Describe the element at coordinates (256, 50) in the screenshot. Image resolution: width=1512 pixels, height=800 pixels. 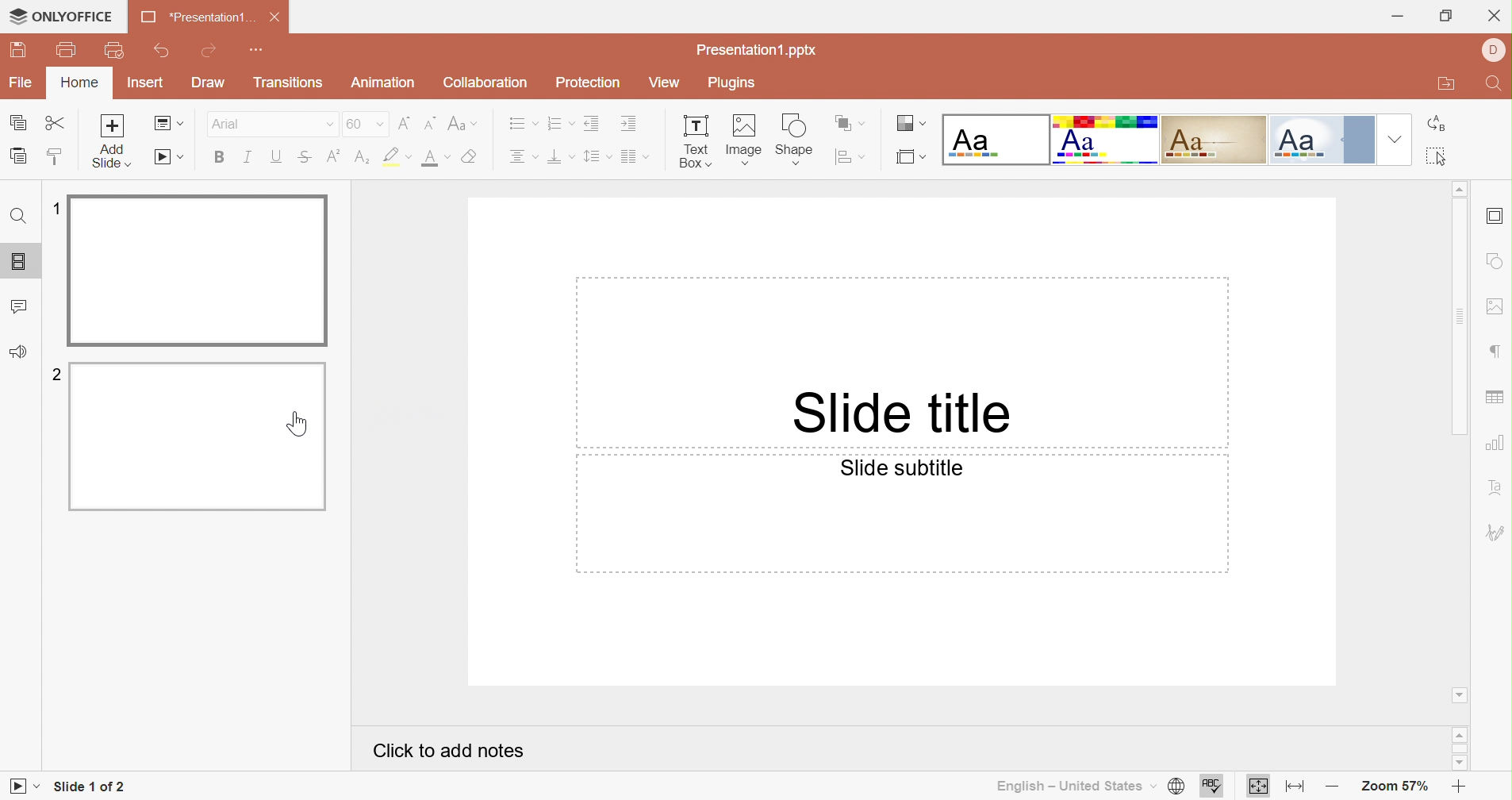
I see `Customize quick access toolbar` at that location.